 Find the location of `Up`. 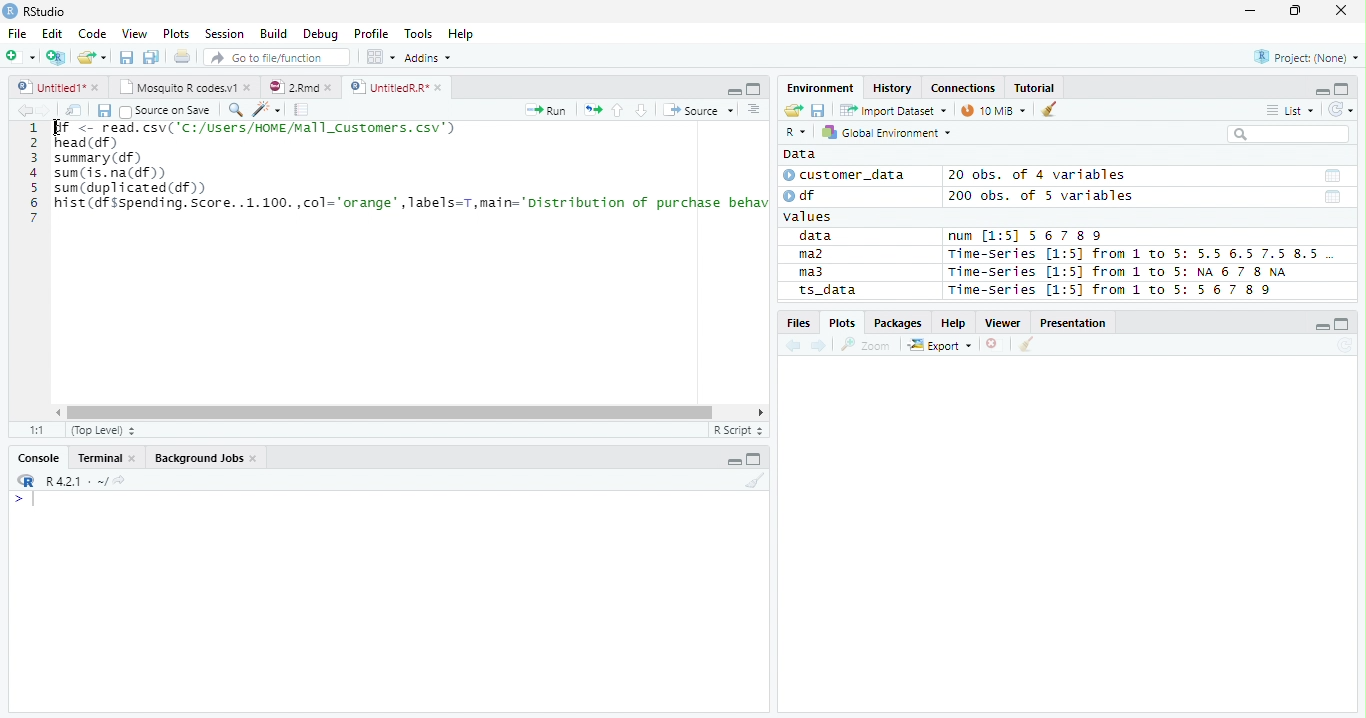

Up is located at coordinates (617, 111).